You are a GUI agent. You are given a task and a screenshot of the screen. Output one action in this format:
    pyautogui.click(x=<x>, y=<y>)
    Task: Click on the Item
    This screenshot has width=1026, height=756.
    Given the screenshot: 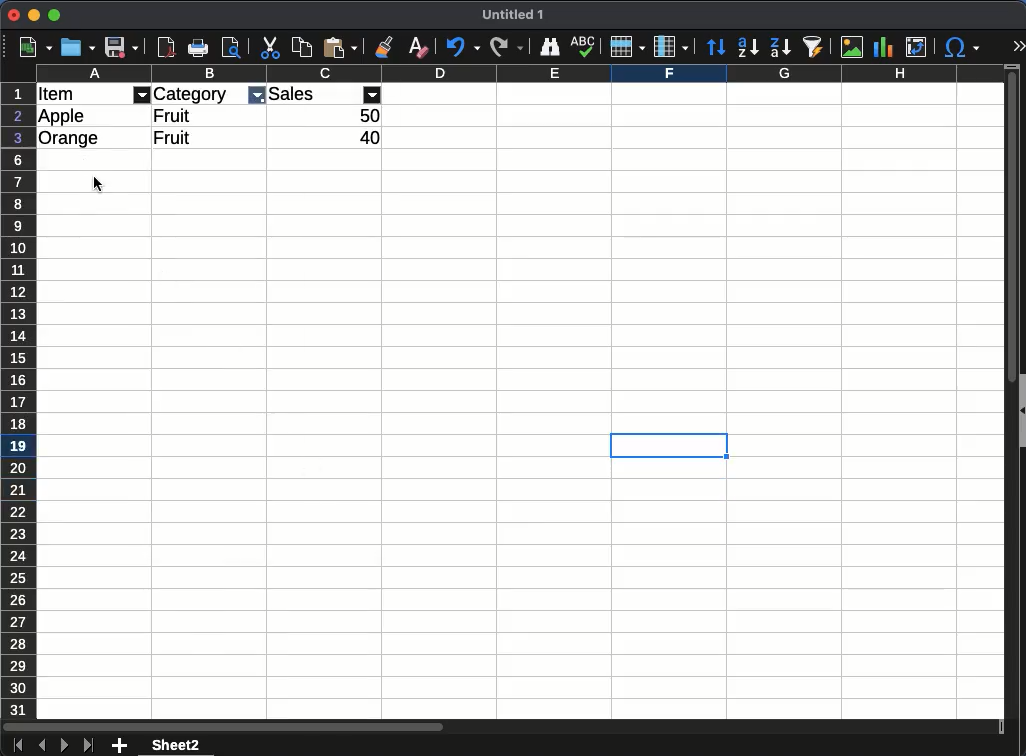 What is the action you would take?
    pyautogui.click(x=56, y=94)
    